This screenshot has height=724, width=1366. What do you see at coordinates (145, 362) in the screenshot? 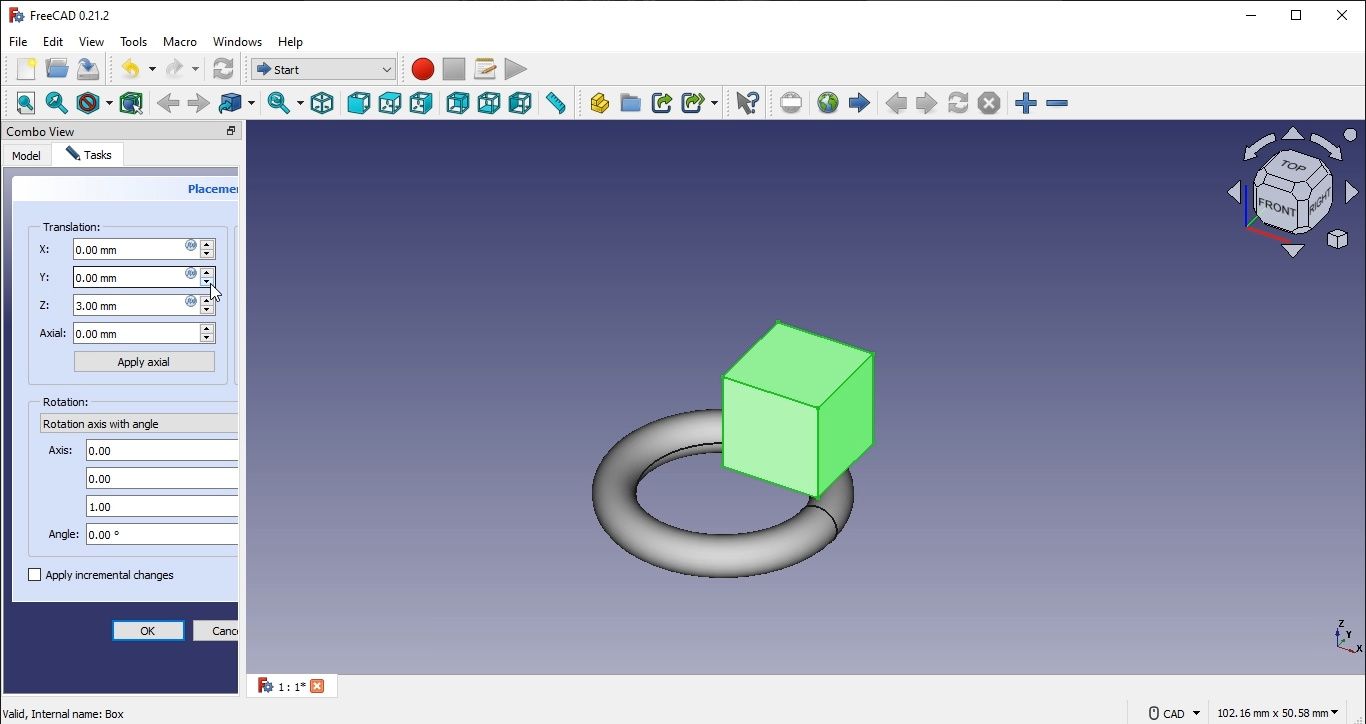
I see `apply axial` at bounding box center [145, 362].